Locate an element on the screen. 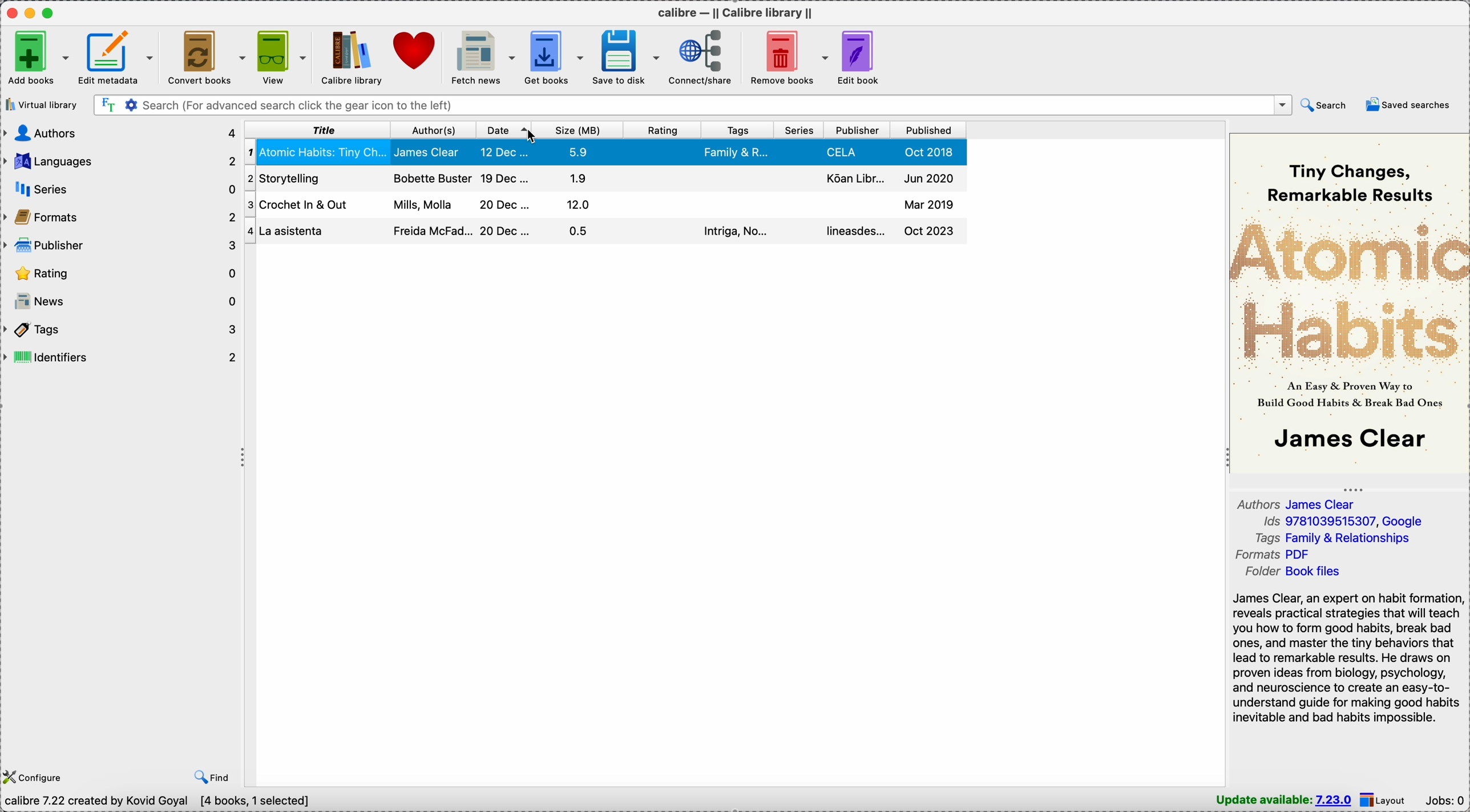  publisher is located at coordinates (122, 246).